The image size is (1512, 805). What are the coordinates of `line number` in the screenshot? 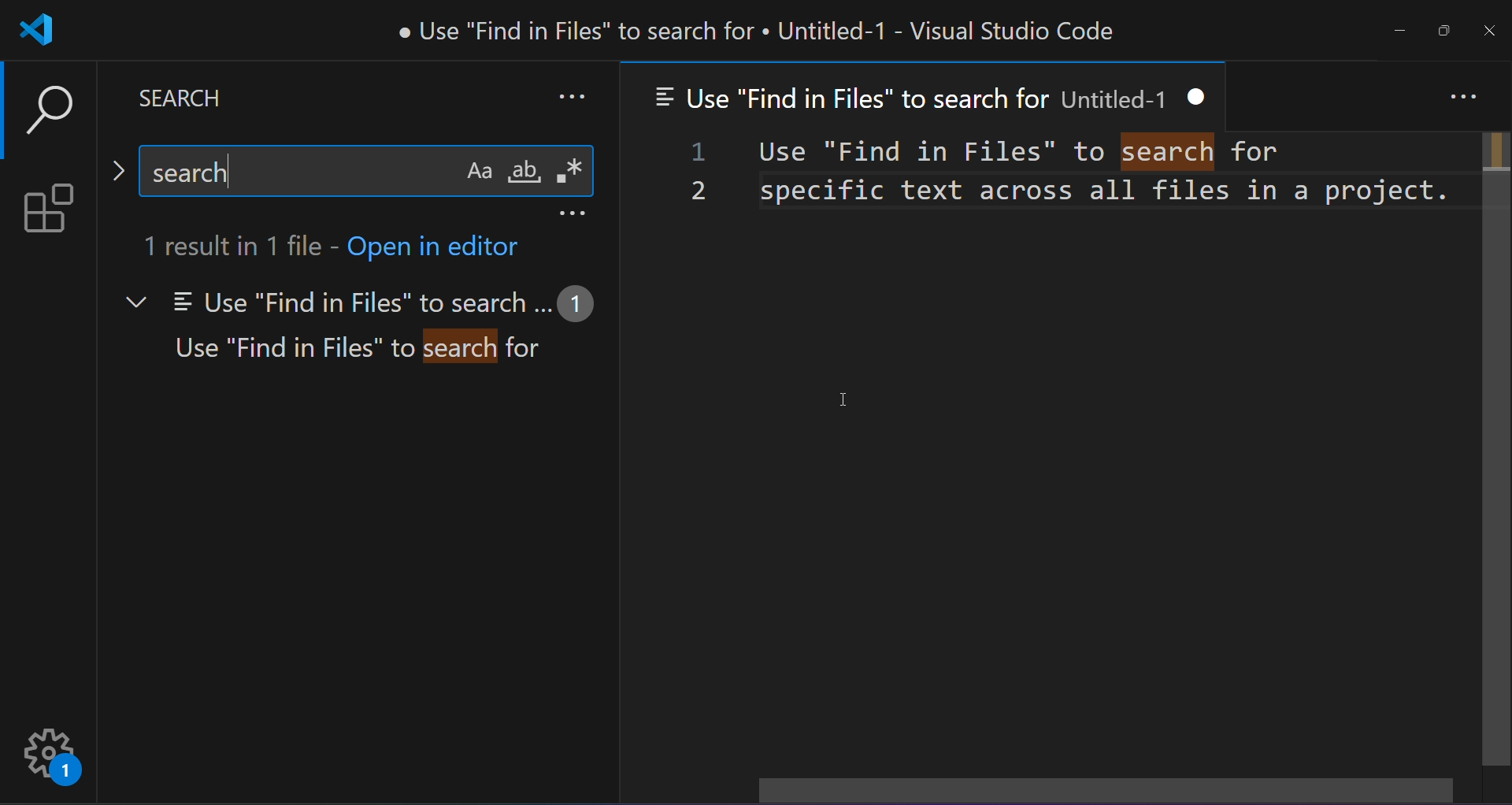 It's located at (698, 172).